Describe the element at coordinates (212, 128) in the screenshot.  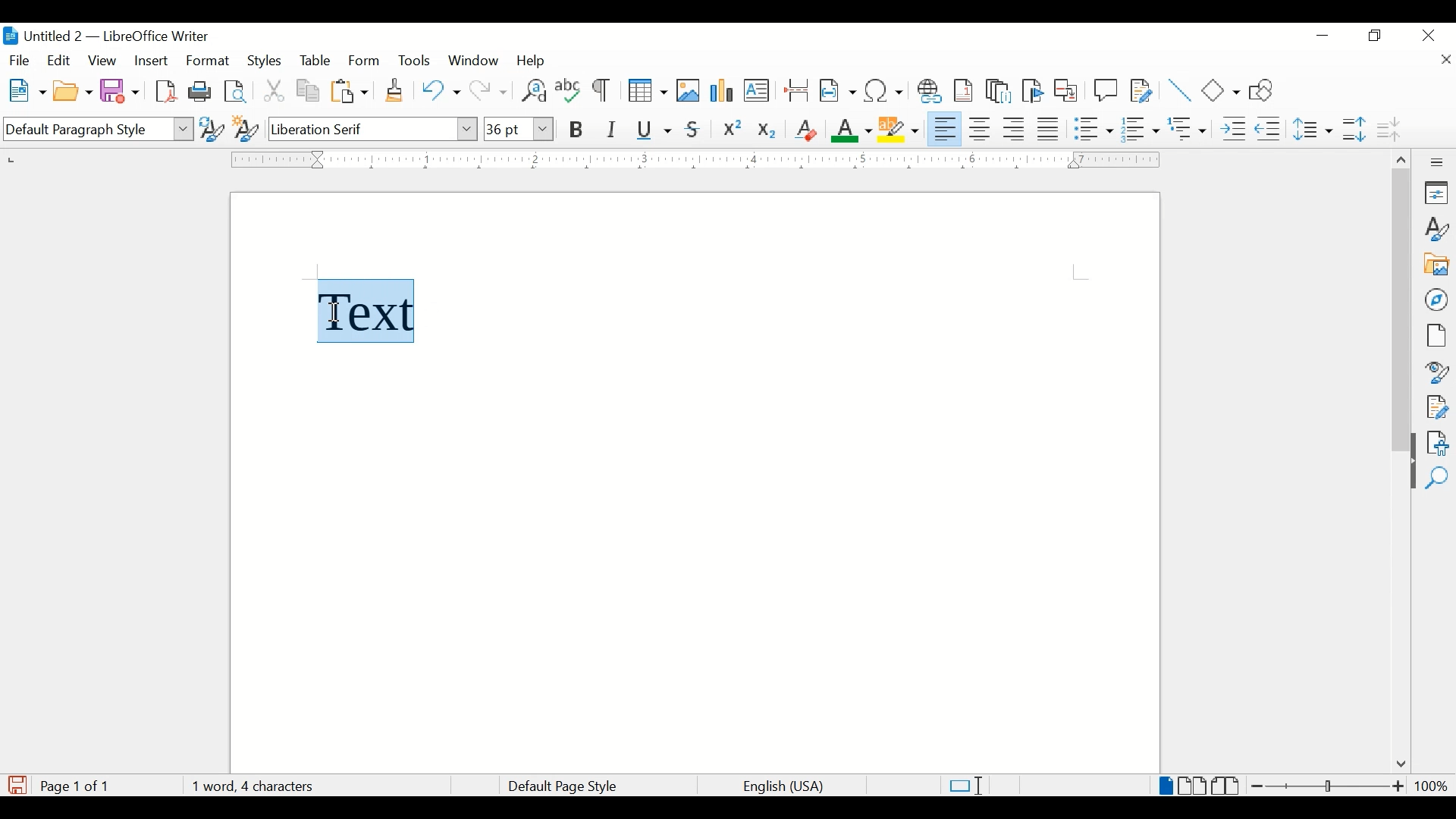
I see `update selected style` at that location.